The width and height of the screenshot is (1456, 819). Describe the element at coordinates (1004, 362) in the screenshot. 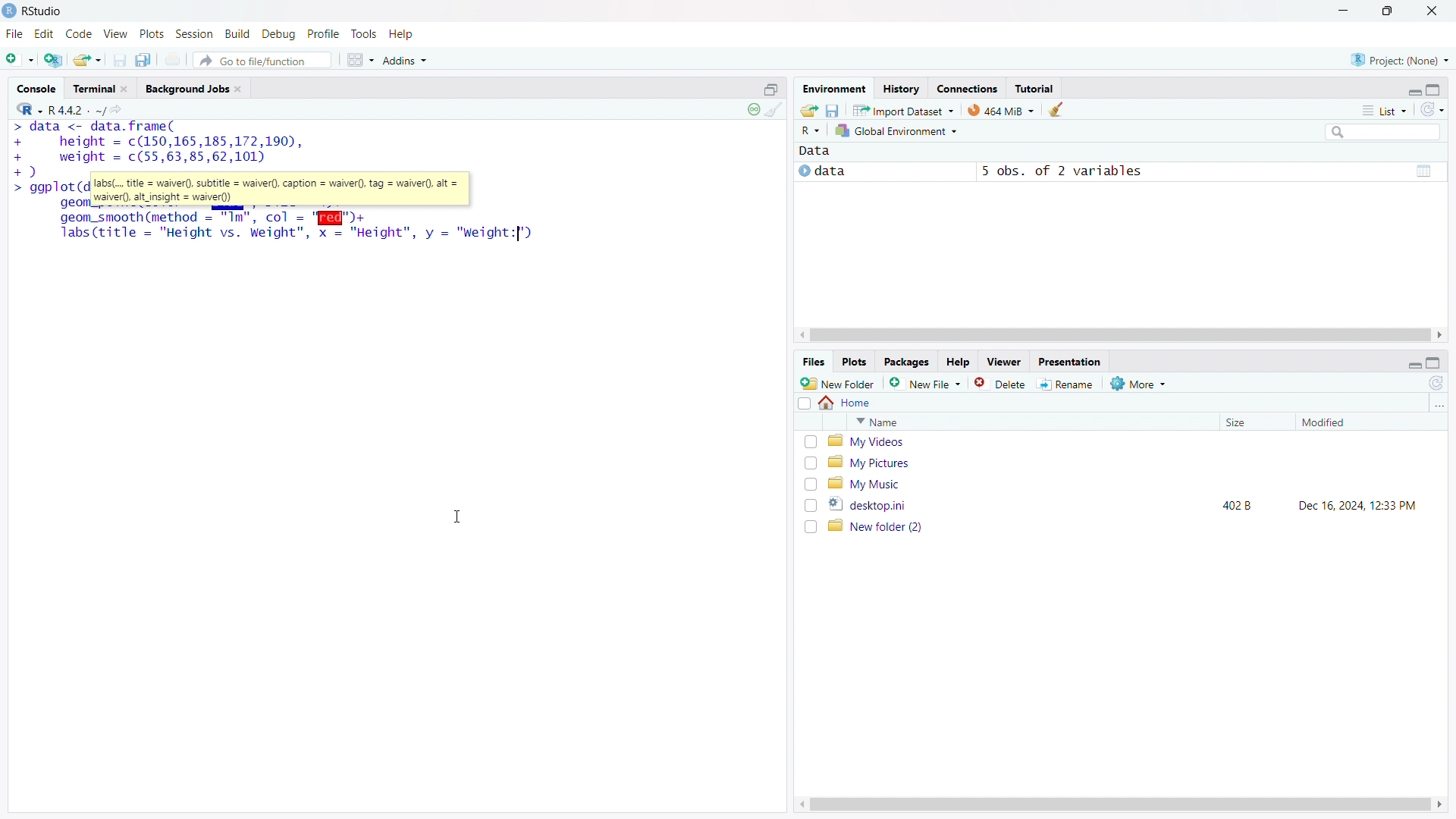

I see `viewer` at that location.